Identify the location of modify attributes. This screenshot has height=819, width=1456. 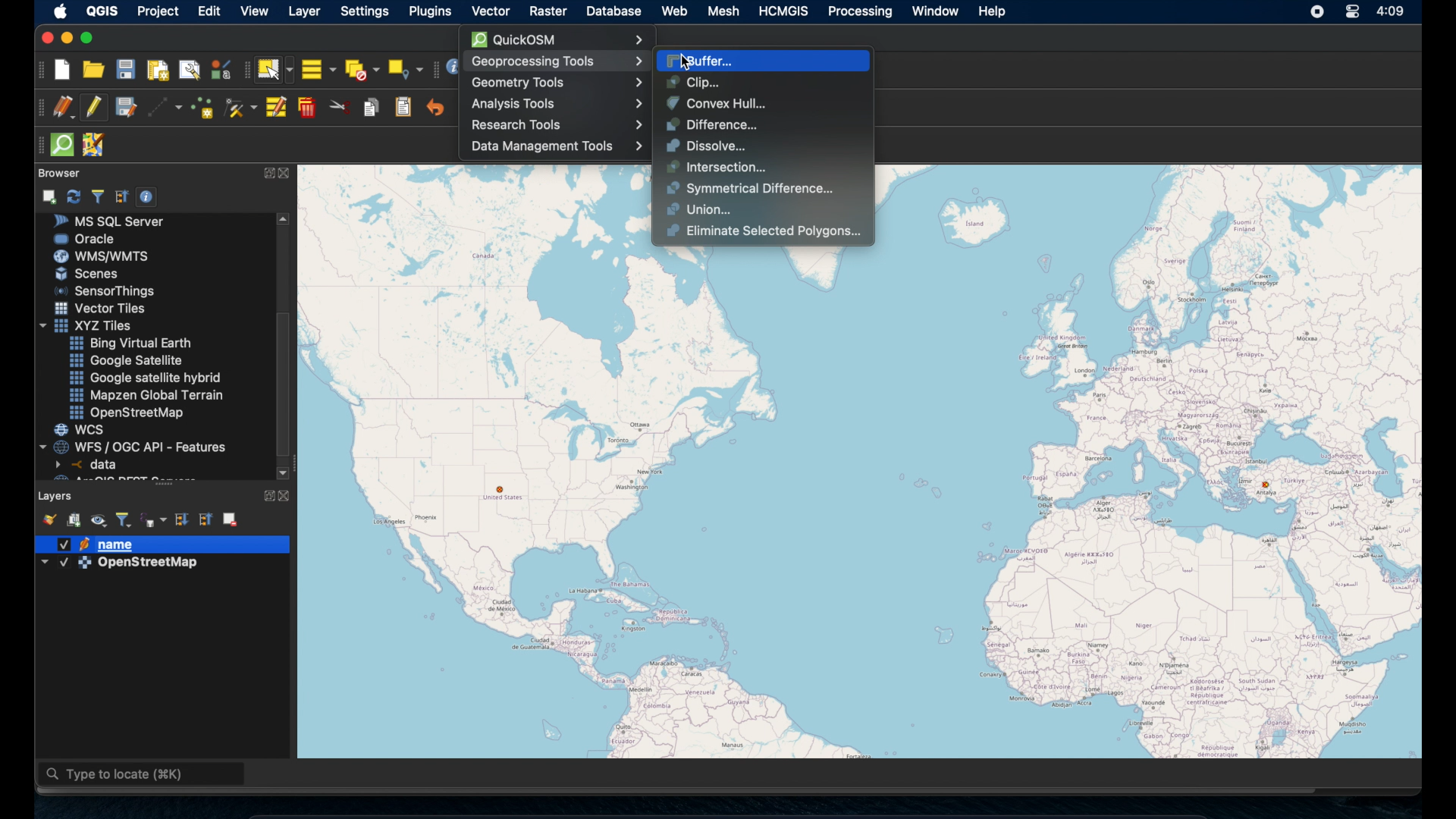
(275, 108).